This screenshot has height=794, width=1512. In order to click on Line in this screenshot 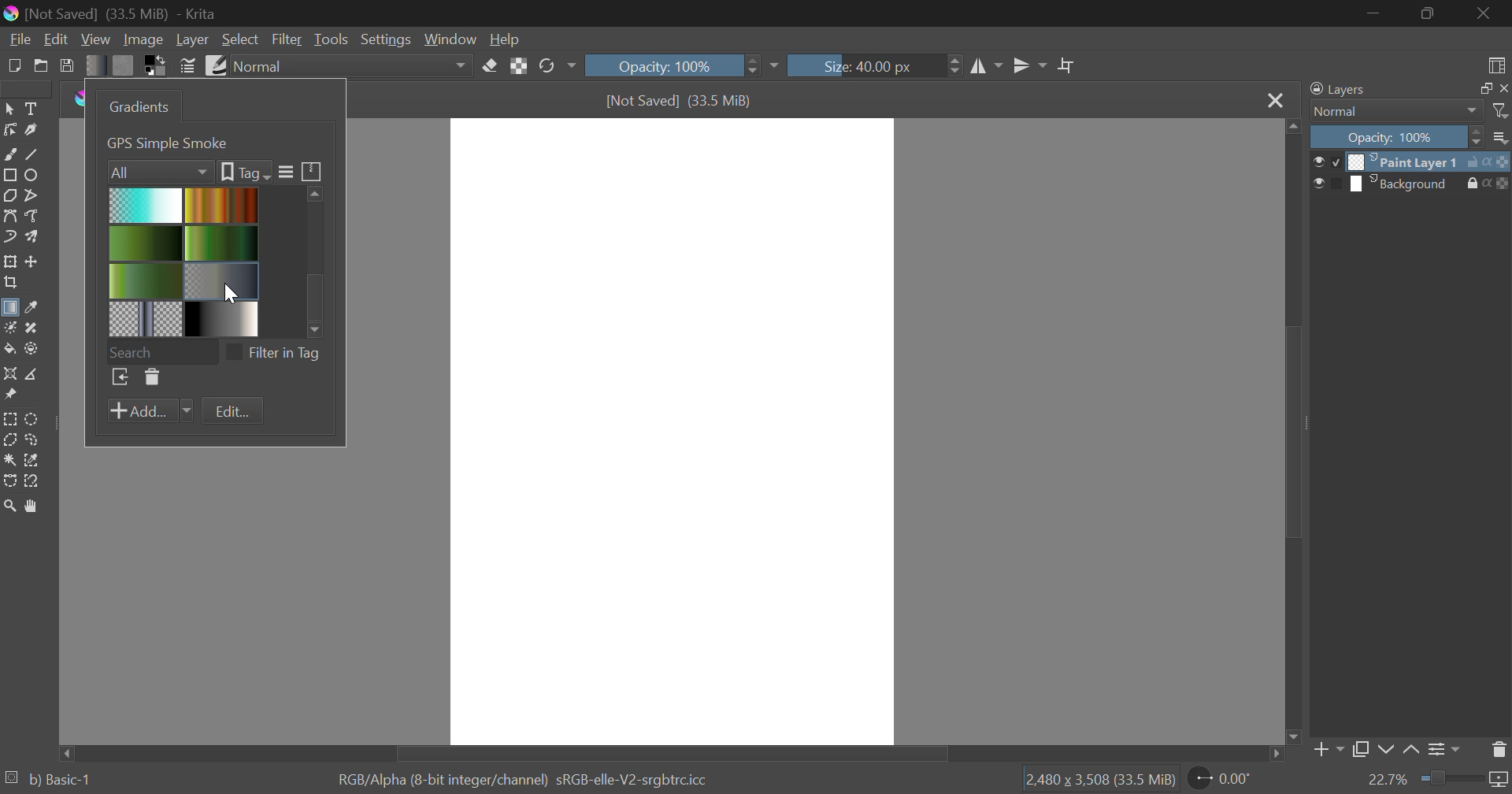, I will do `click(32, 153)`.